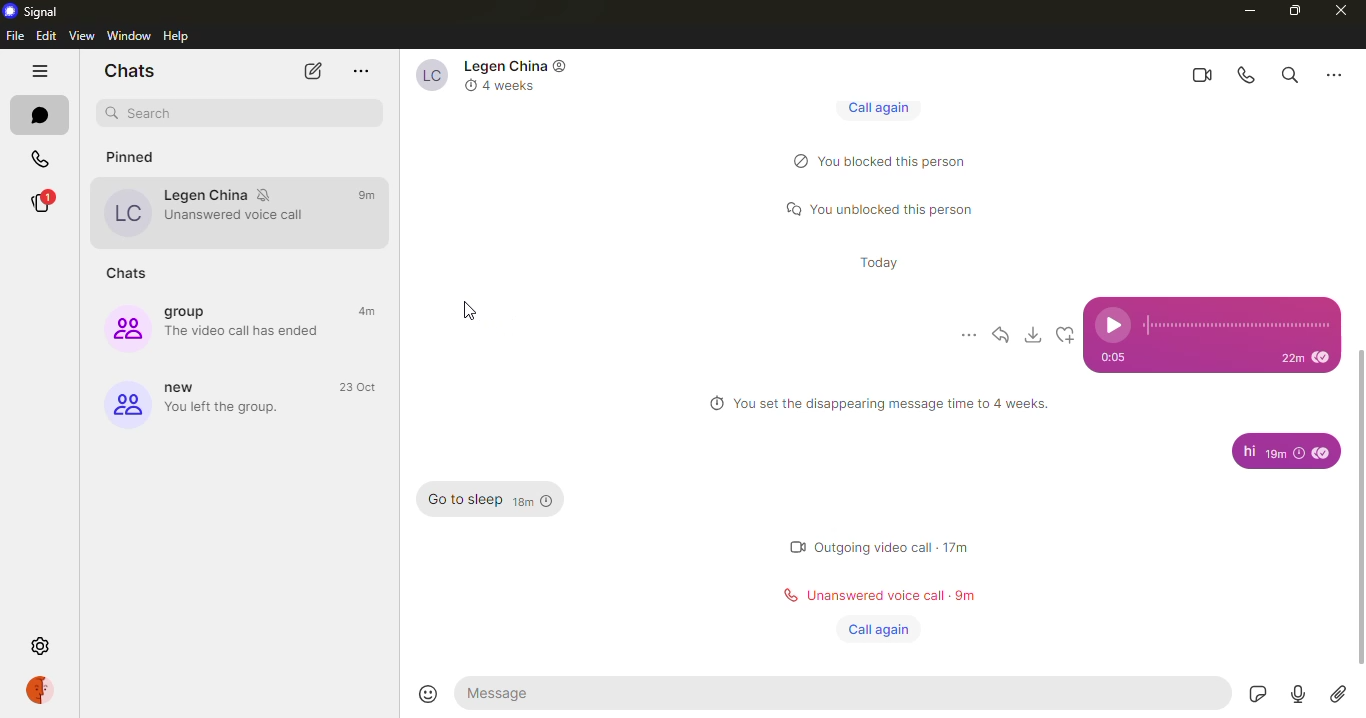  Describe the element at coordinates (462, 500) in the screenshot. I see `message` at that location.